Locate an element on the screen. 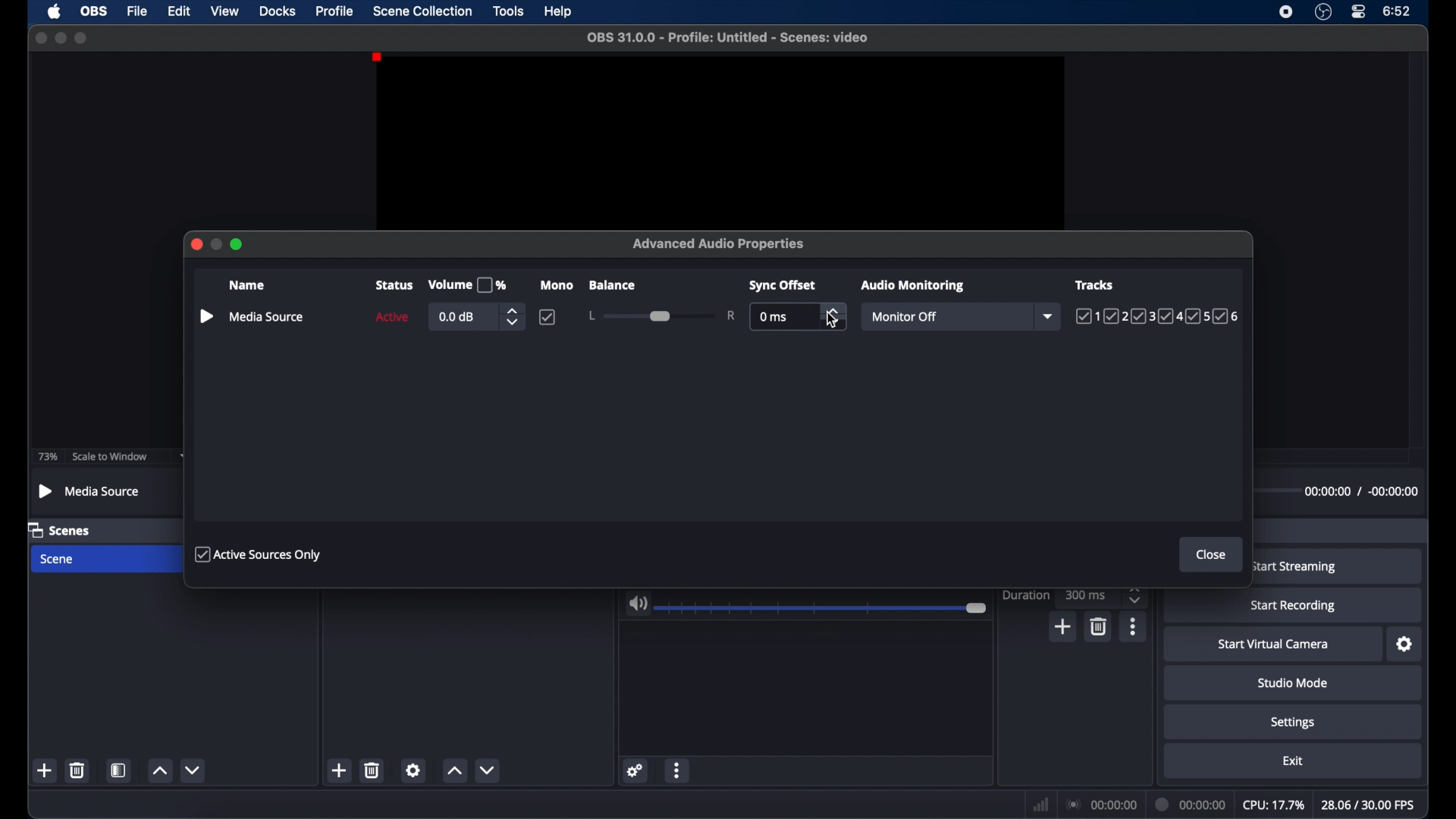 Image resolution: width=1456 pixels, height=819 pixels. advanced audio properties is located at coordinates (720, 245).